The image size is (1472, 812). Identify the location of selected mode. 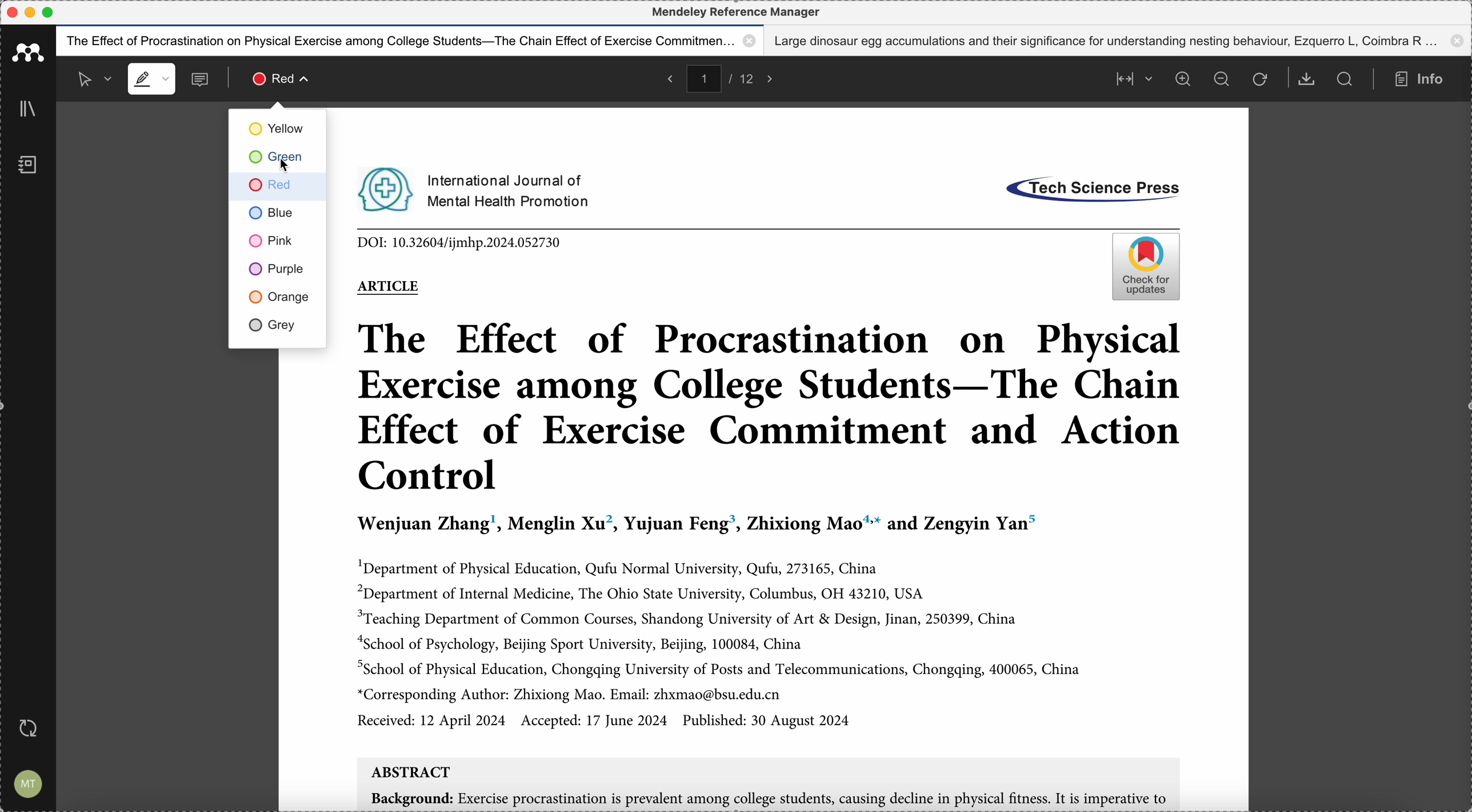
(89, 78).